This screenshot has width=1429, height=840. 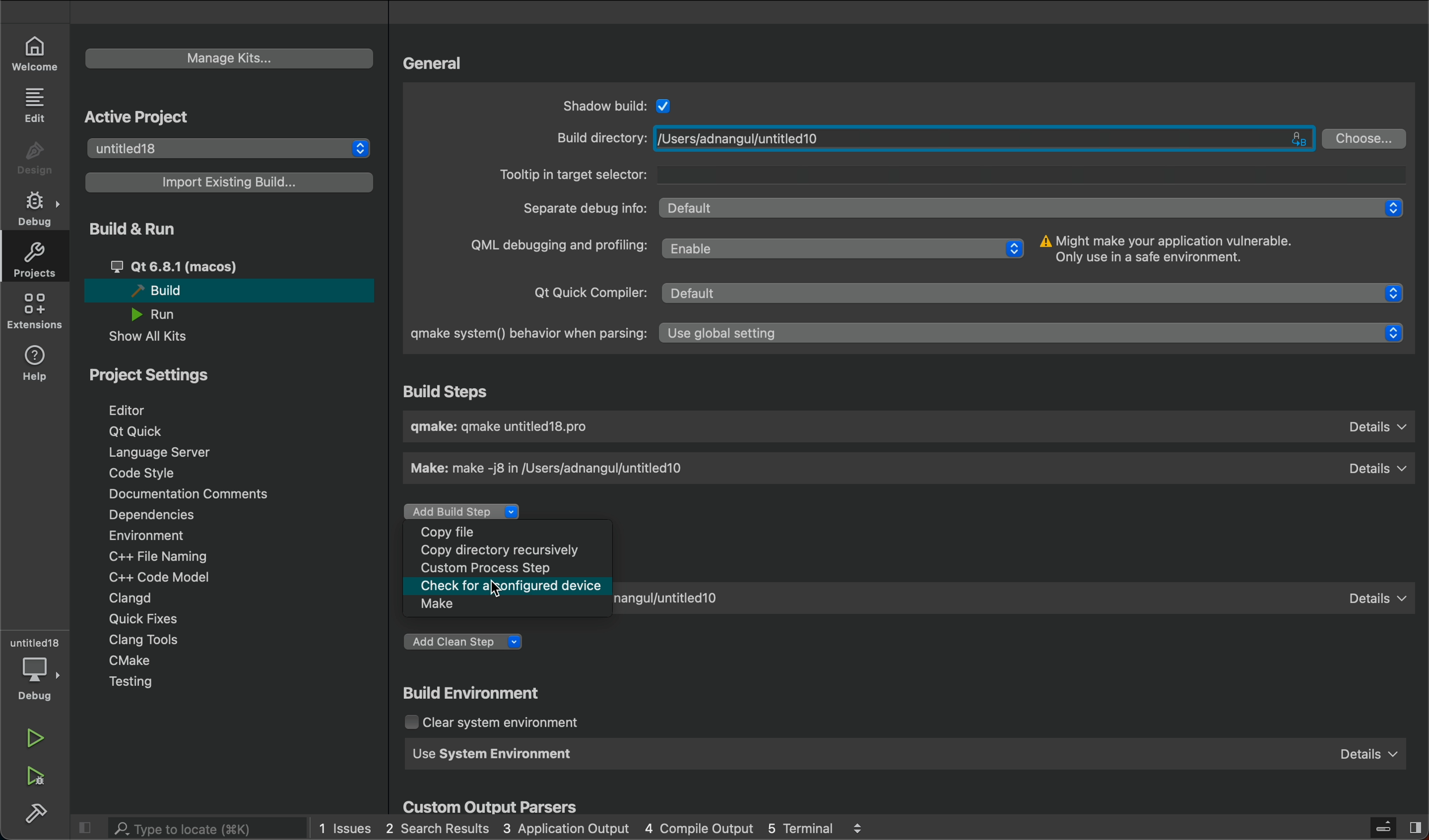 I want to click on Enable, so click(x=843, y=248).